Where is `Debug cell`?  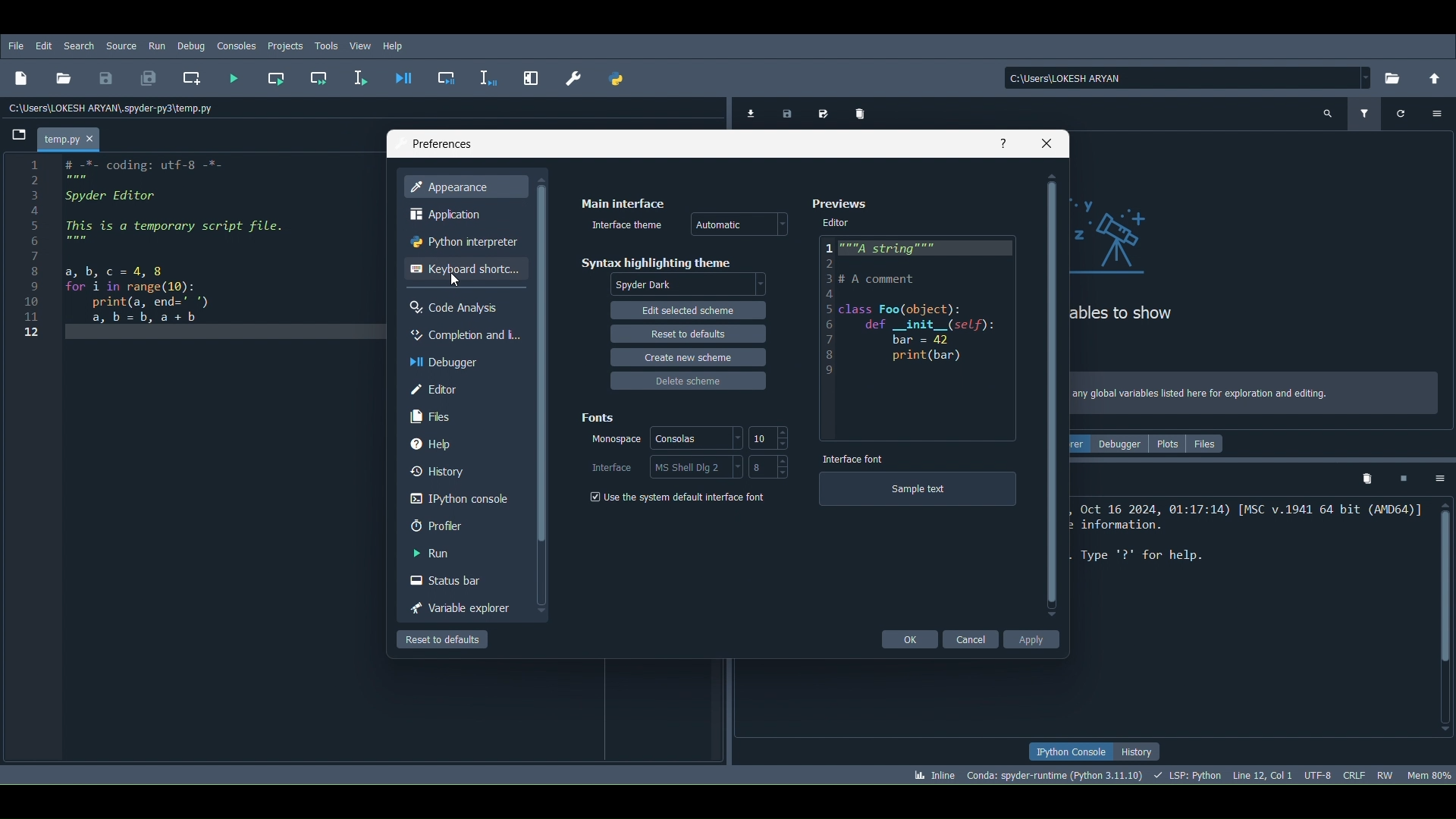
Debug cell is located at coordinates (447, 75).